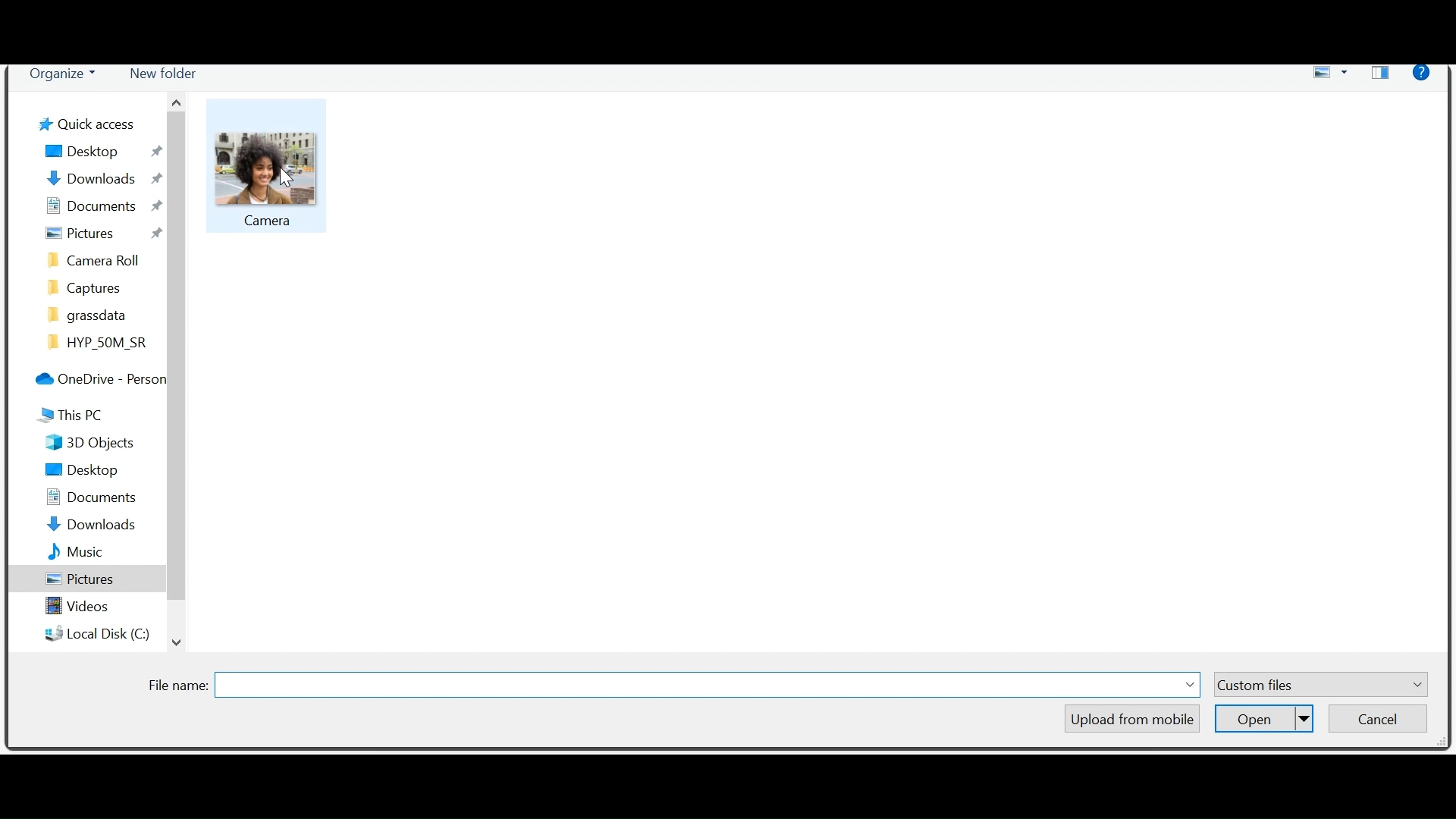 This screenshot has height=819, width=1456. What do you see at coordinates (174, 643) in the screenshot?
I see `Scroll down` at bounding box center [174, 643].